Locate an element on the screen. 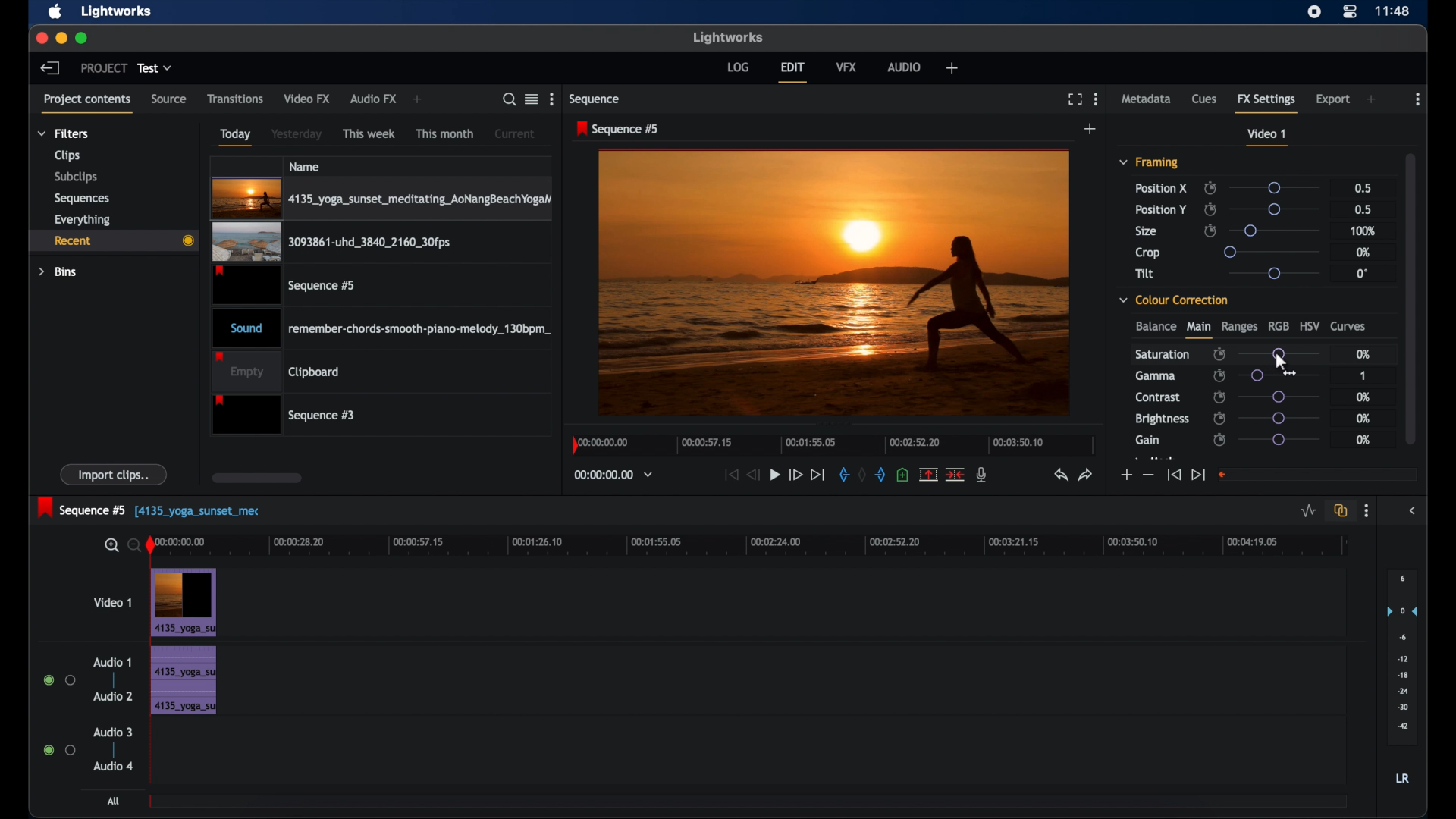 This screenshot has height=819, width=1456. audio output levels is located at coordinates (1401, 657).